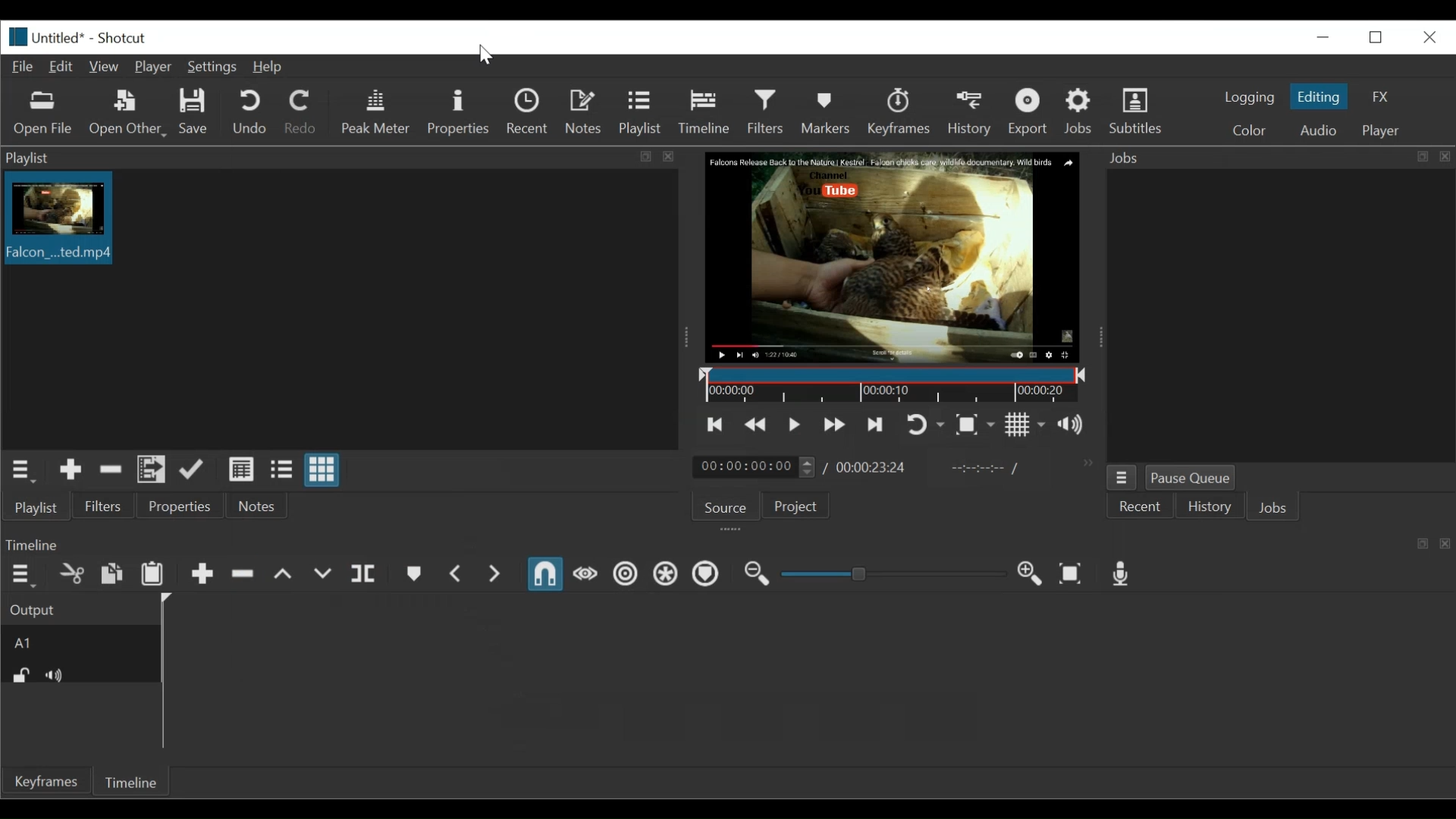  I want to click on Export, so click(1029, 115).